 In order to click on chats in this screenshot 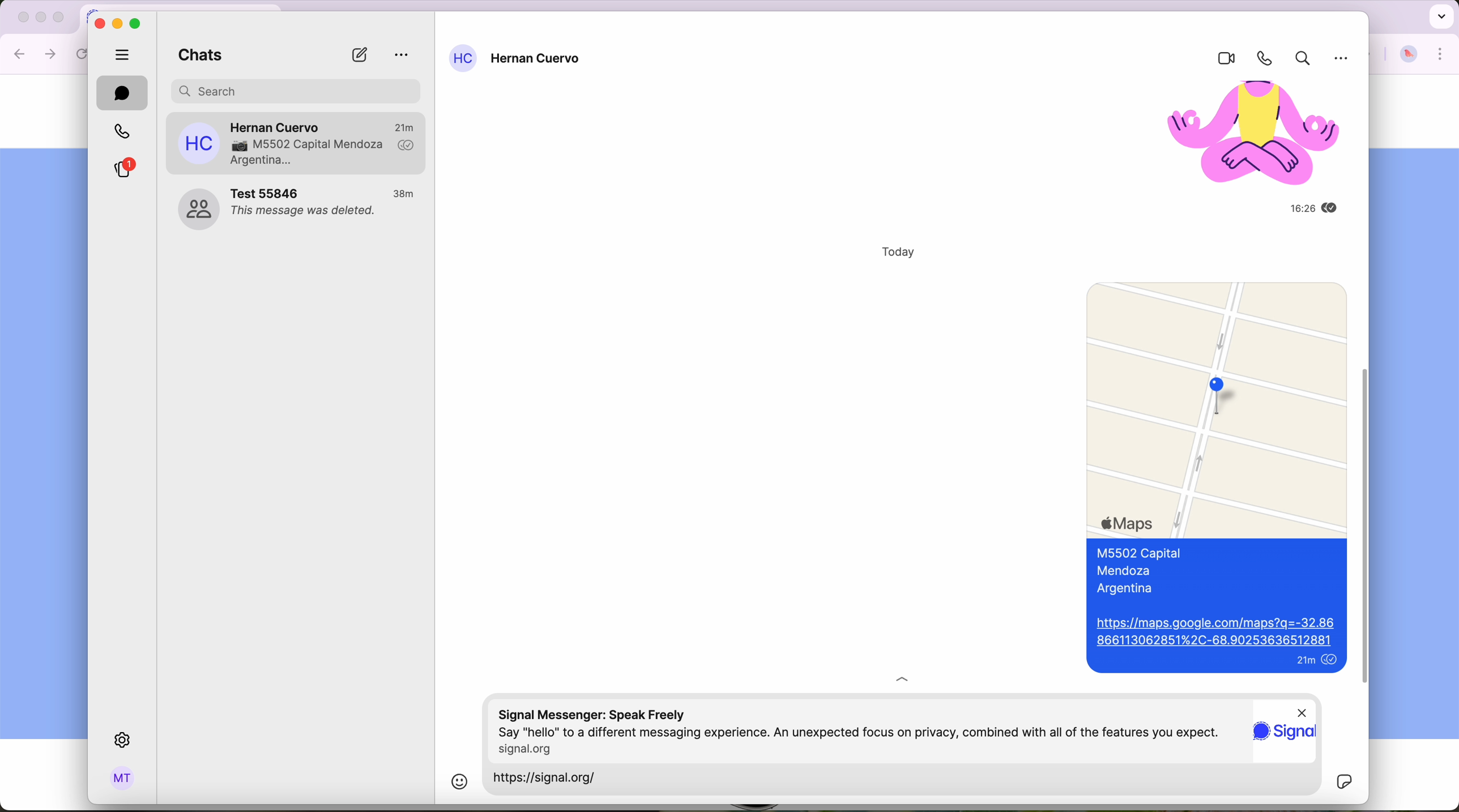, I will do `click(122, 93)`.